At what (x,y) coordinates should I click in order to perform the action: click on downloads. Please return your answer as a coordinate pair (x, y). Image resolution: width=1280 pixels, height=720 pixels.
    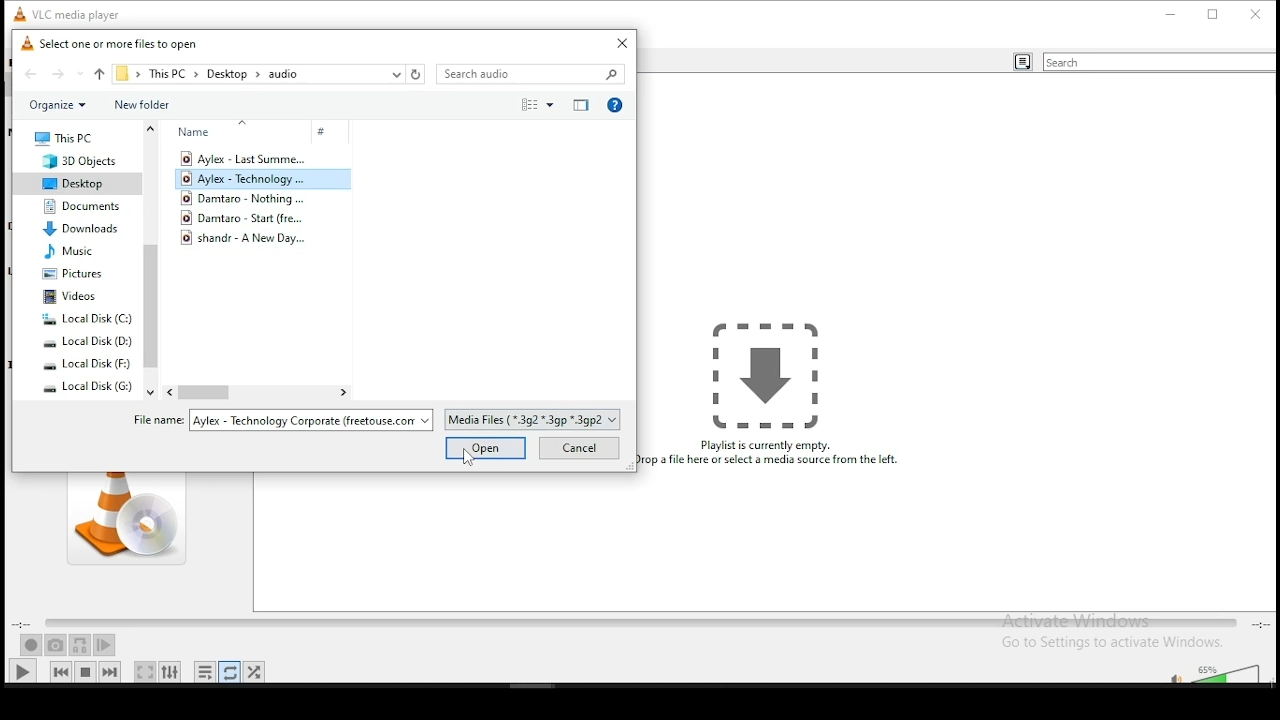
    Looking at the image, I should click on (80, 228).